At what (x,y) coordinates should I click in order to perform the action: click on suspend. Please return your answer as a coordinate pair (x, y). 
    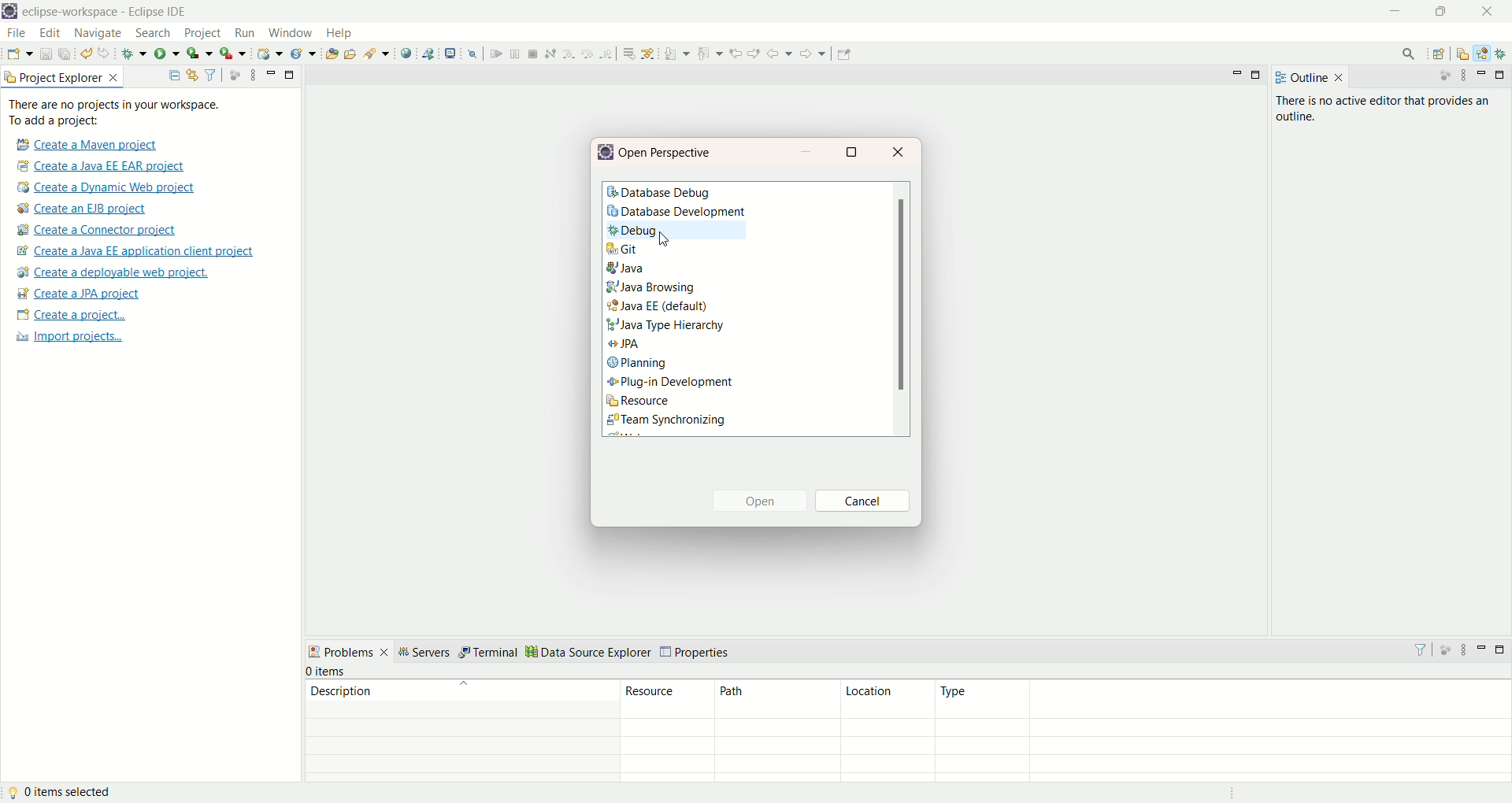
    Looking at the image, I should click on (513, 54).